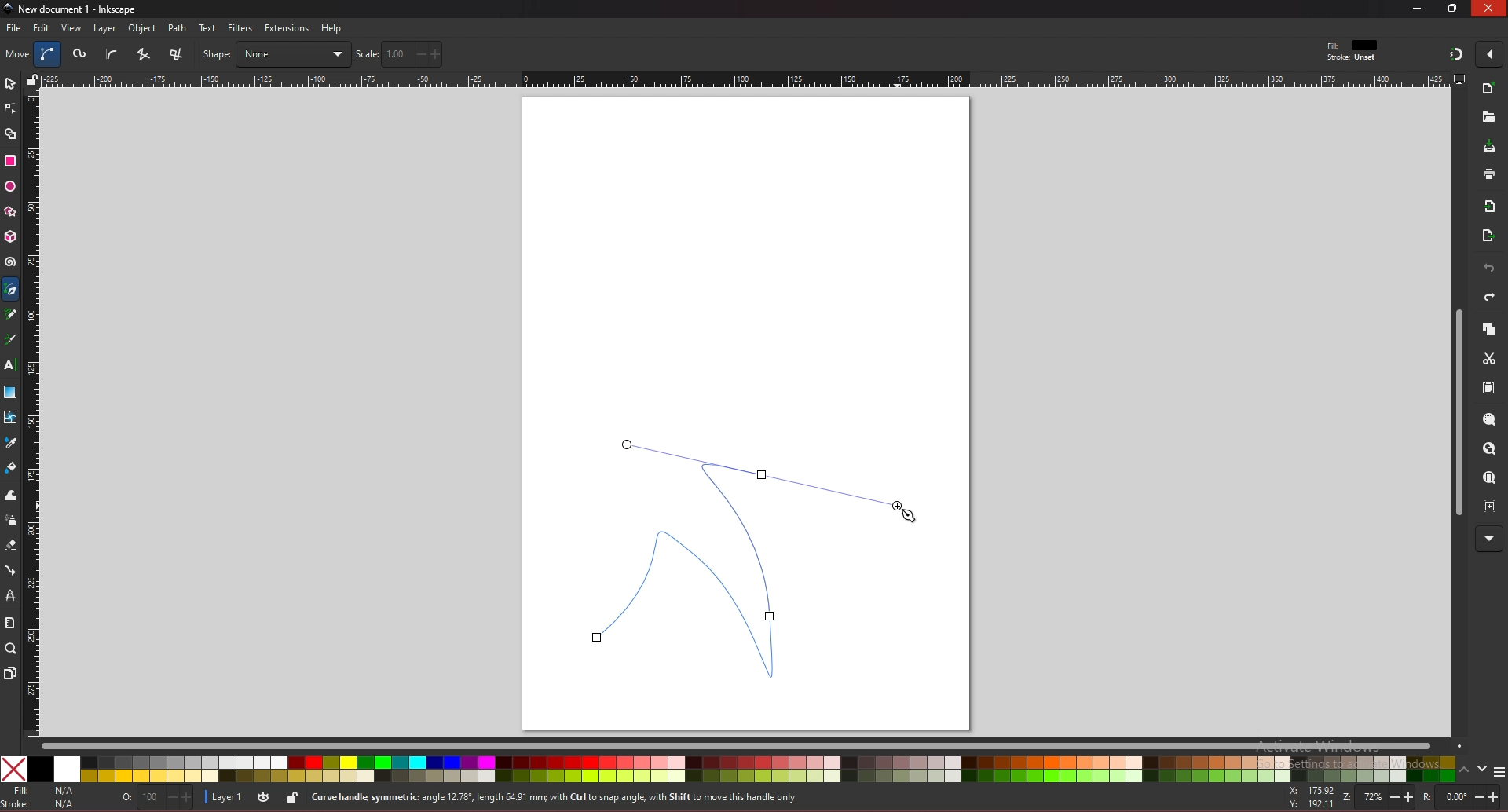 The image size is (1508, 812). What do you see at coordinates (1483, 769) in the screenshot?
I see `down` at bounding box center [1483, 769].